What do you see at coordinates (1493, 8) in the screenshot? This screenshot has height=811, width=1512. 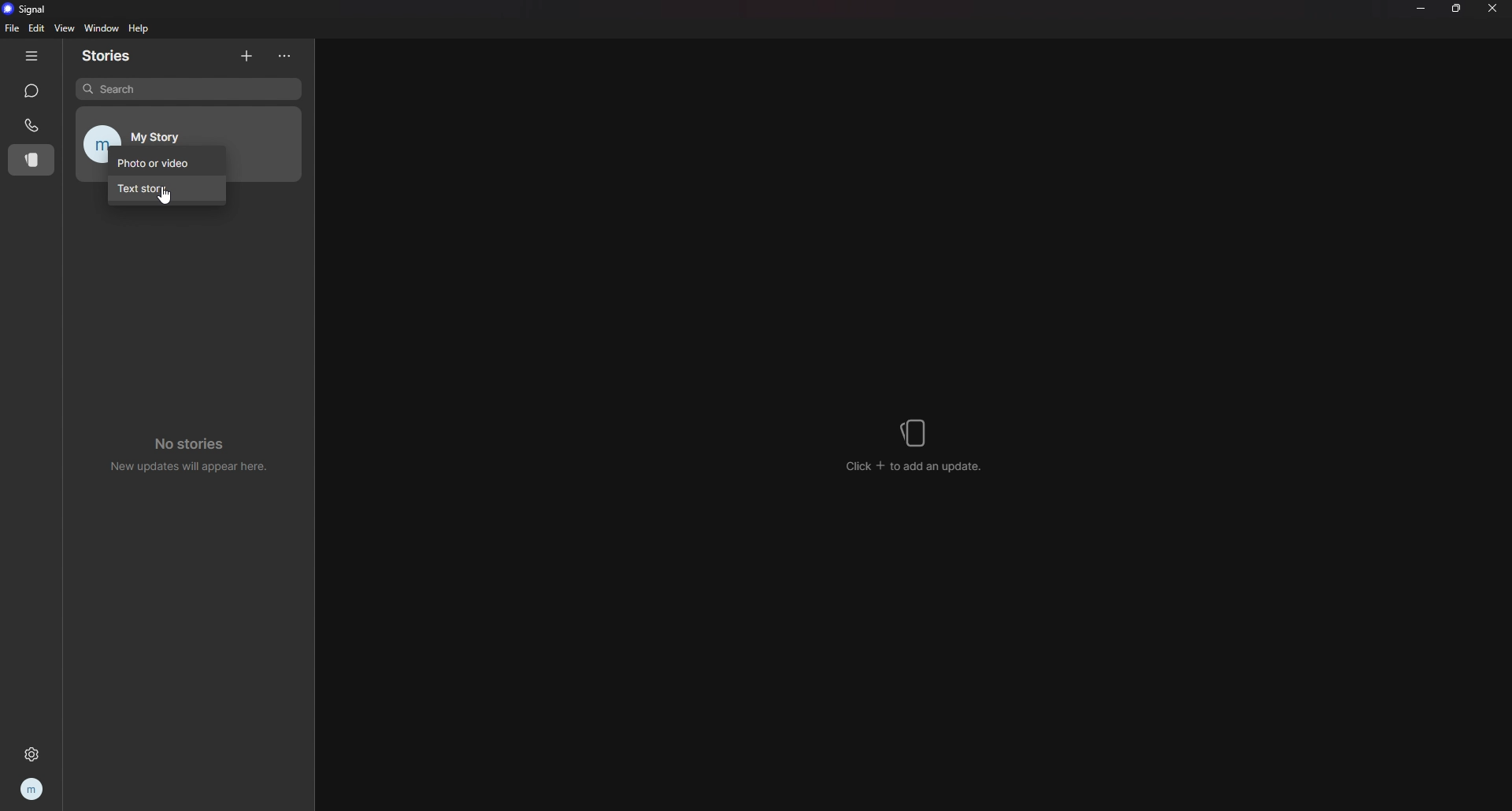 I see `close` at bounding box center [1493, 8].